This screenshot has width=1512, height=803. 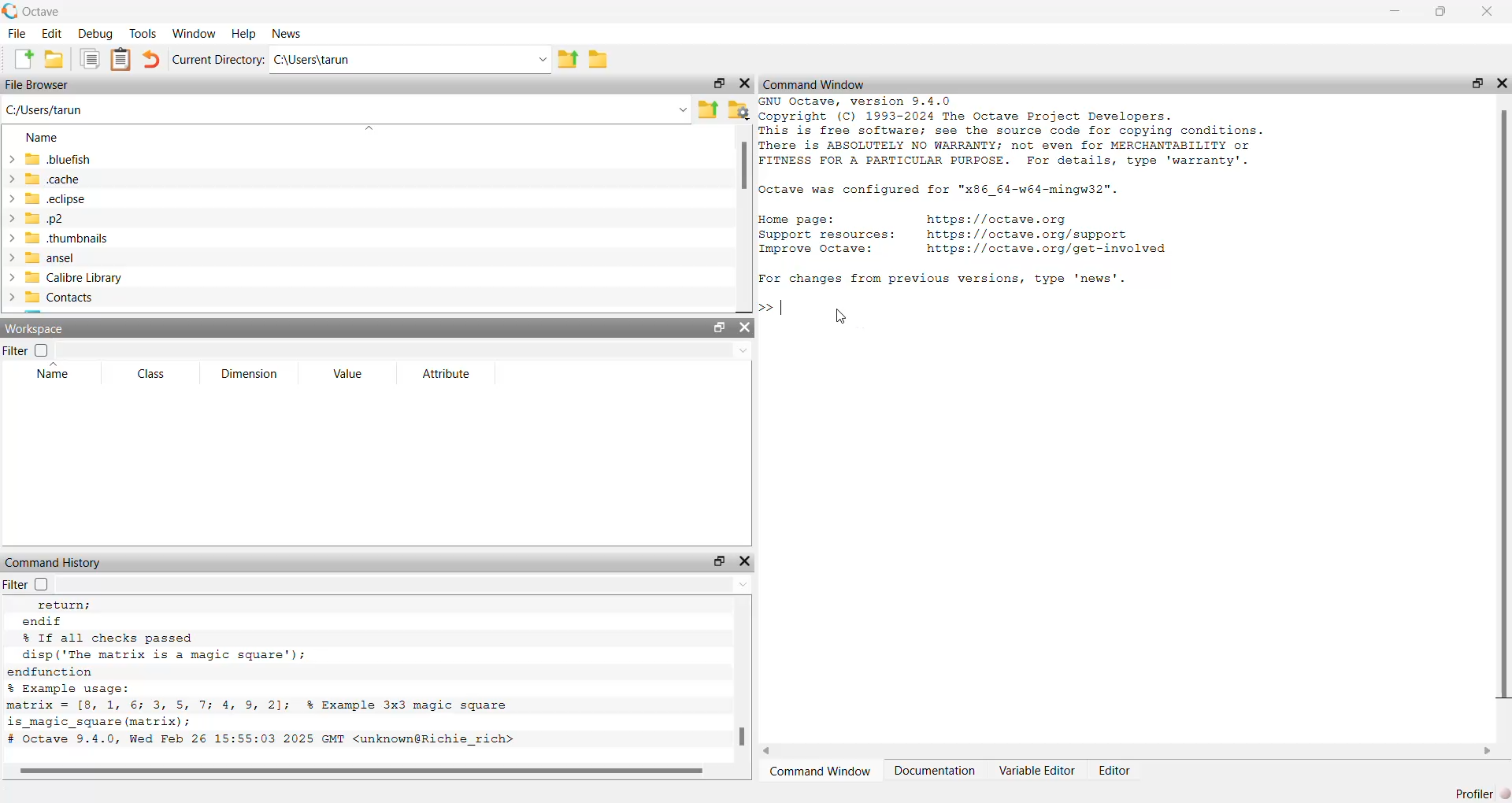 I want to click on New folder, so click(x=55, y=59).